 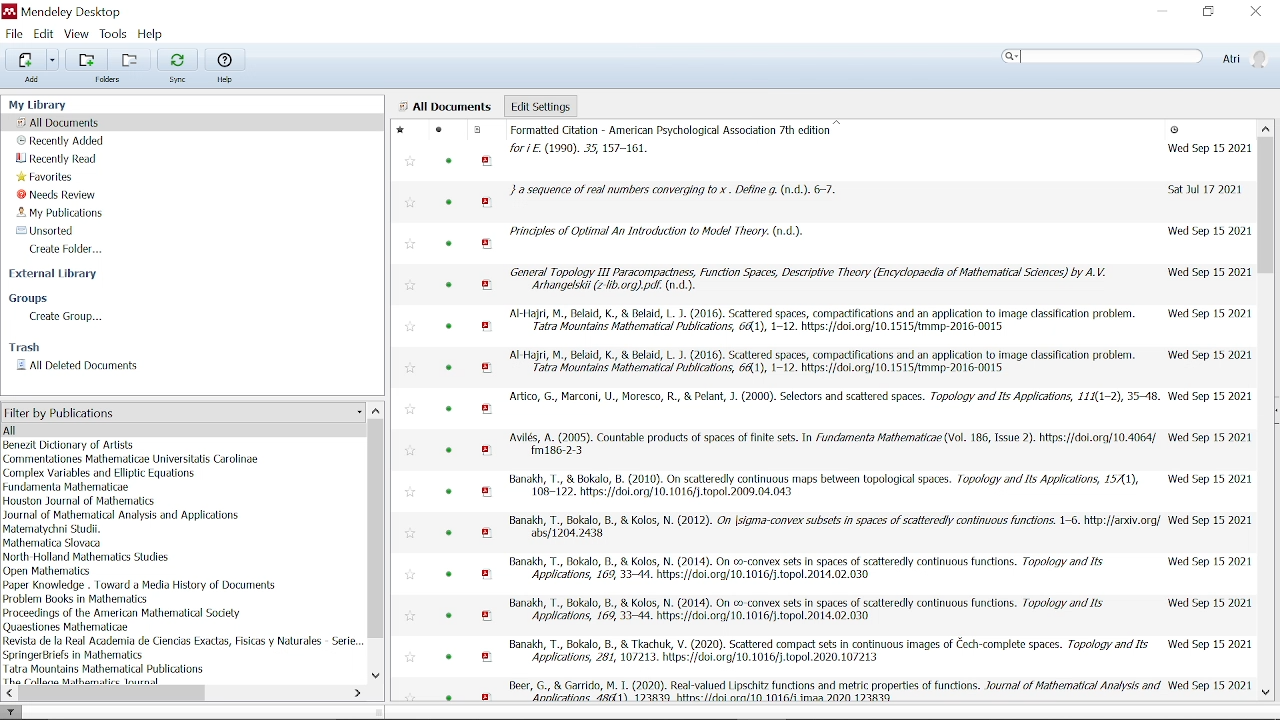 I want to click on Date time, so click(x=1209, y=232).